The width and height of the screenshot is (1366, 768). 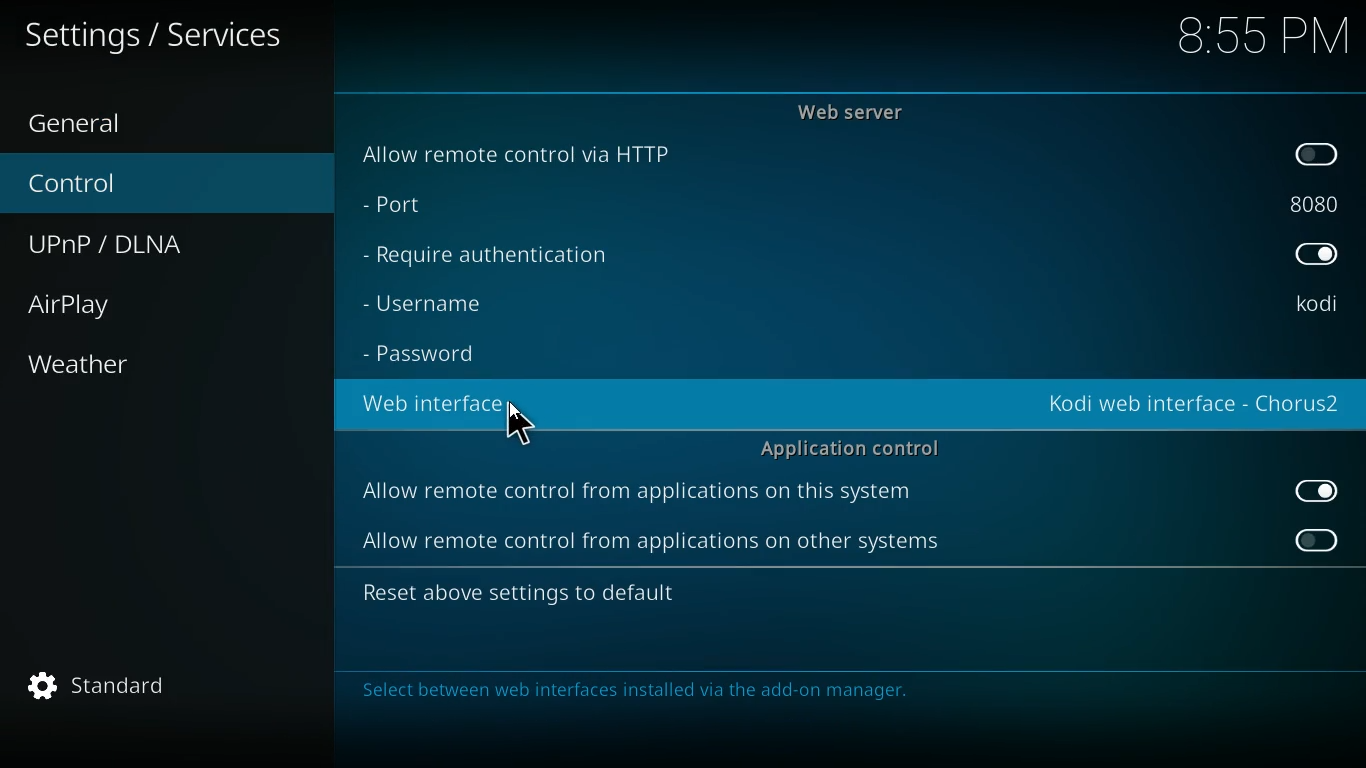 I want to click on Time - 8:55PM, so click(x=1263, y=37).